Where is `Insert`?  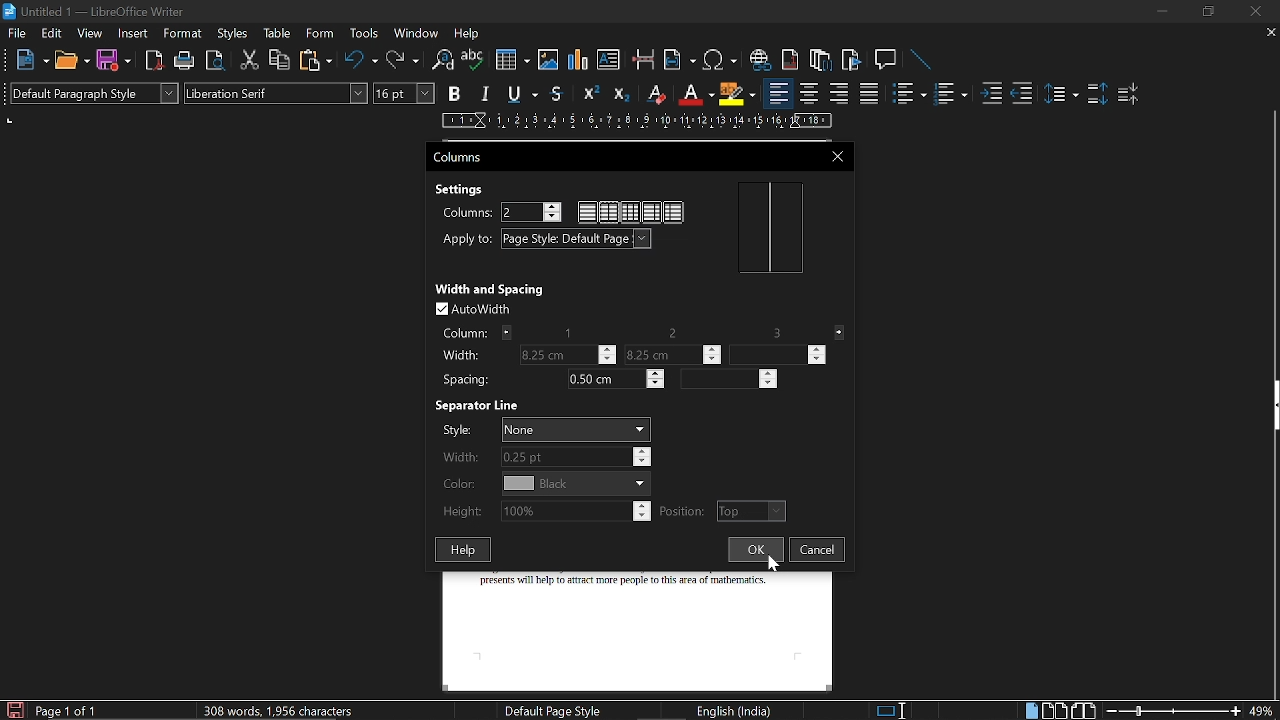 Insert is located at coordinates (134, 34).